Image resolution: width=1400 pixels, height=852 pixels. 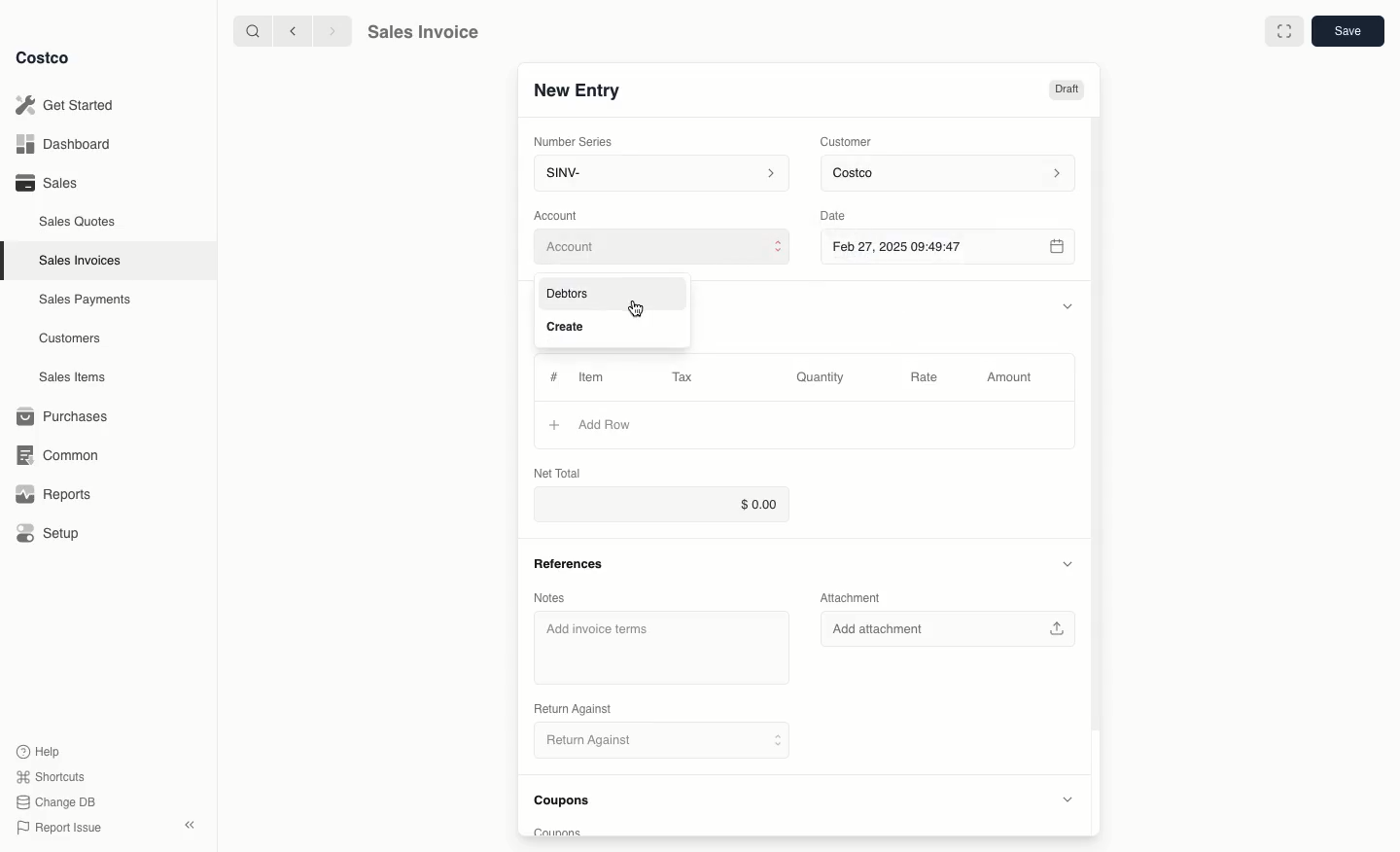 What do you see at coordinates (58, 799) in the screenshot?
I see `Change DB` at bounding box center [58, 799].